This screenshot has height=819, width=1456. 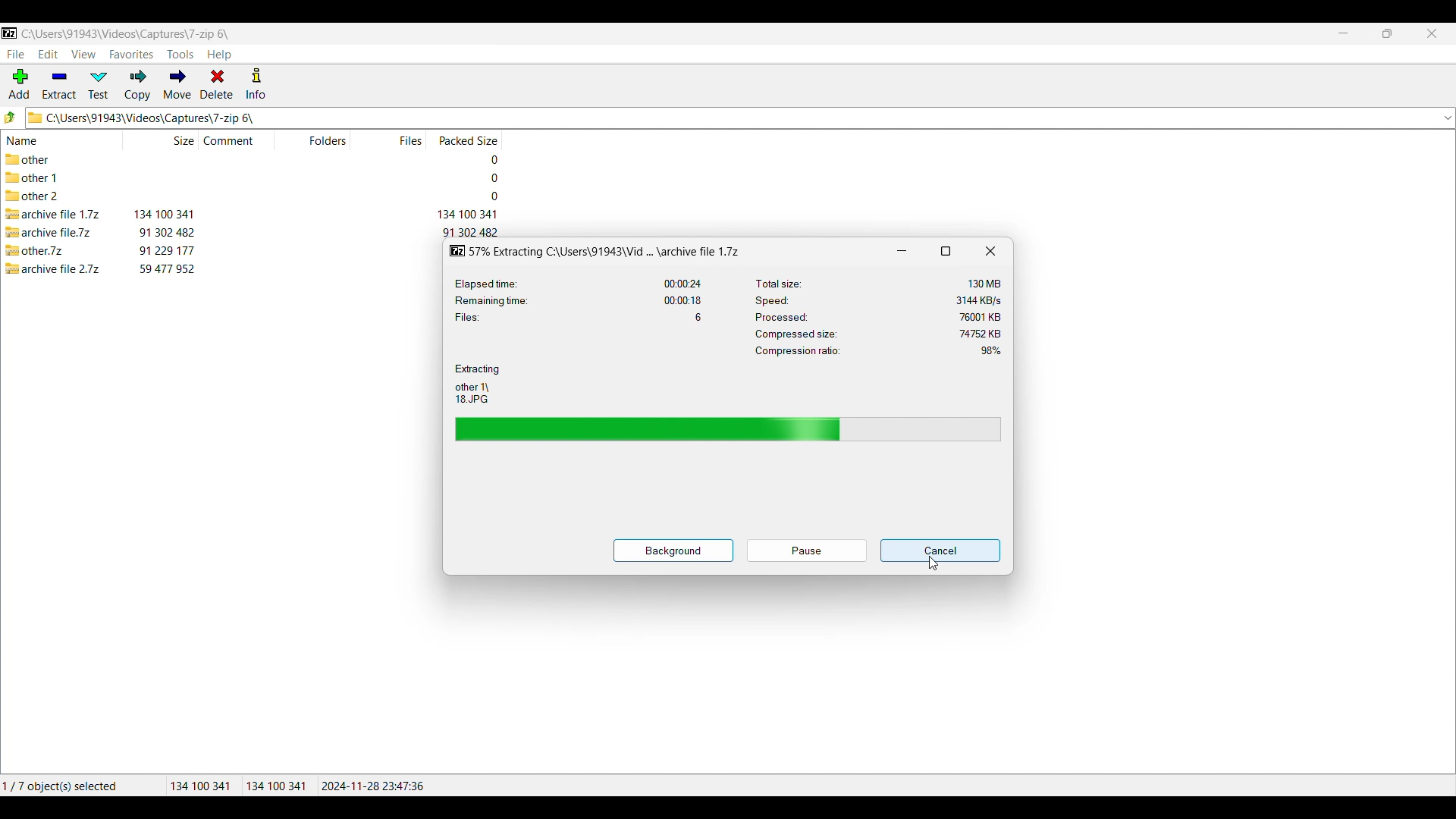 What do you see at coordinates (478, 369) in the screenshot?
I see `Extracting` at bounding box center [478, 369].